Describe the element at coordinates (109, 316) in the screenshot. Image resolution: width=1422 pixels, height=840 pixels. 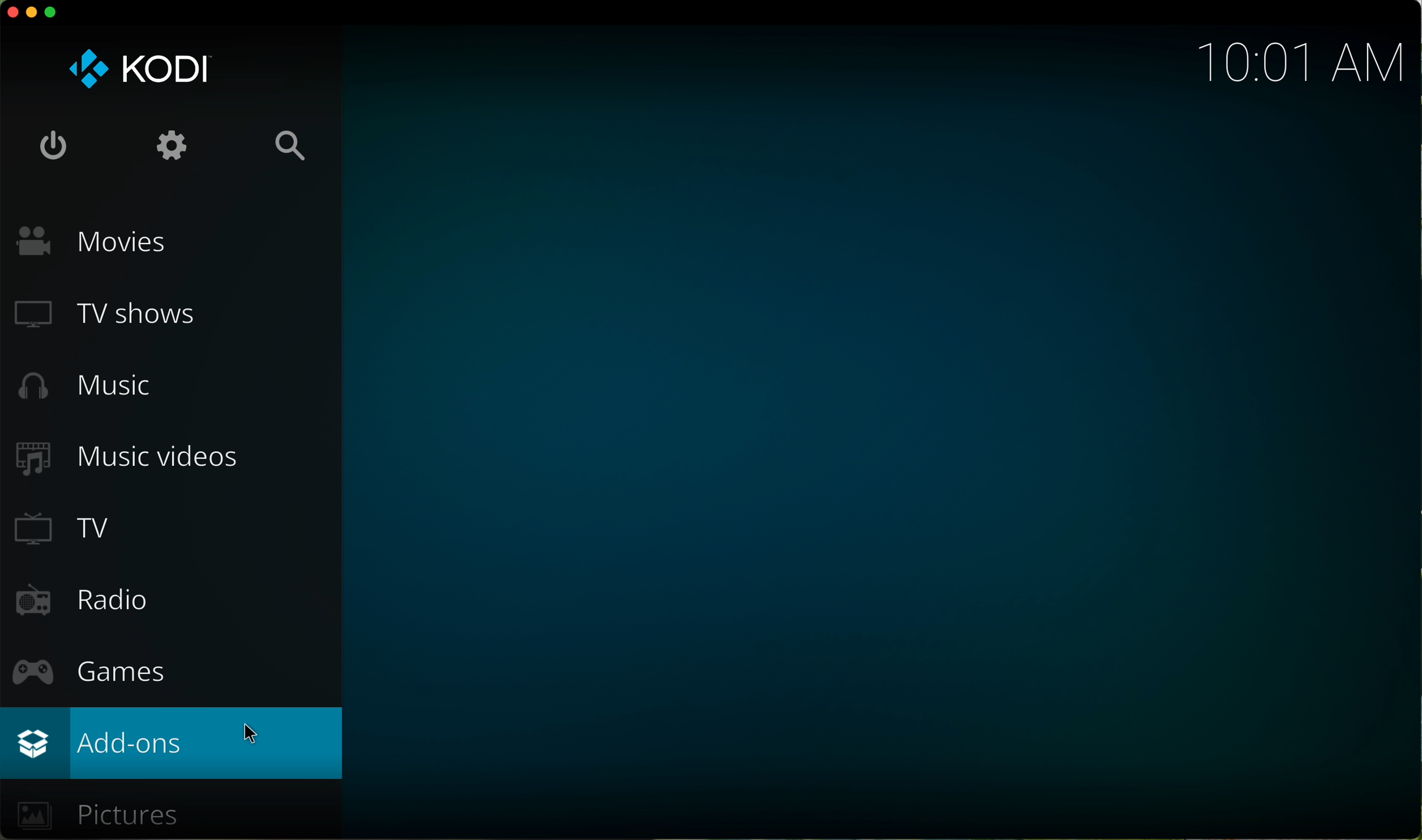
I see `TV shows` at that location.